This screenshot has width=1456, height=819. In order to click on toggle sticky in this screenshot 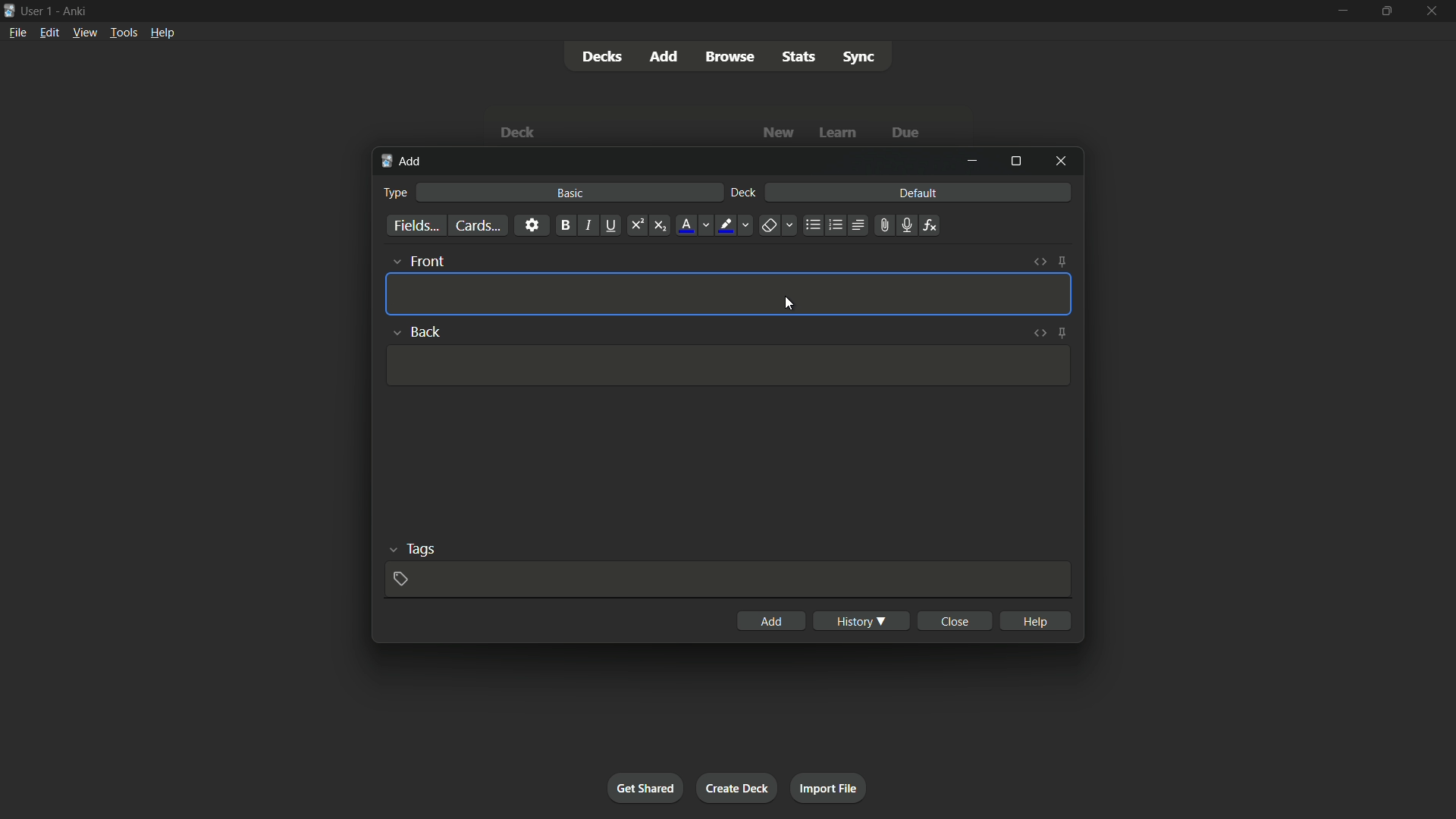, I will do `click(1063, 332)`.